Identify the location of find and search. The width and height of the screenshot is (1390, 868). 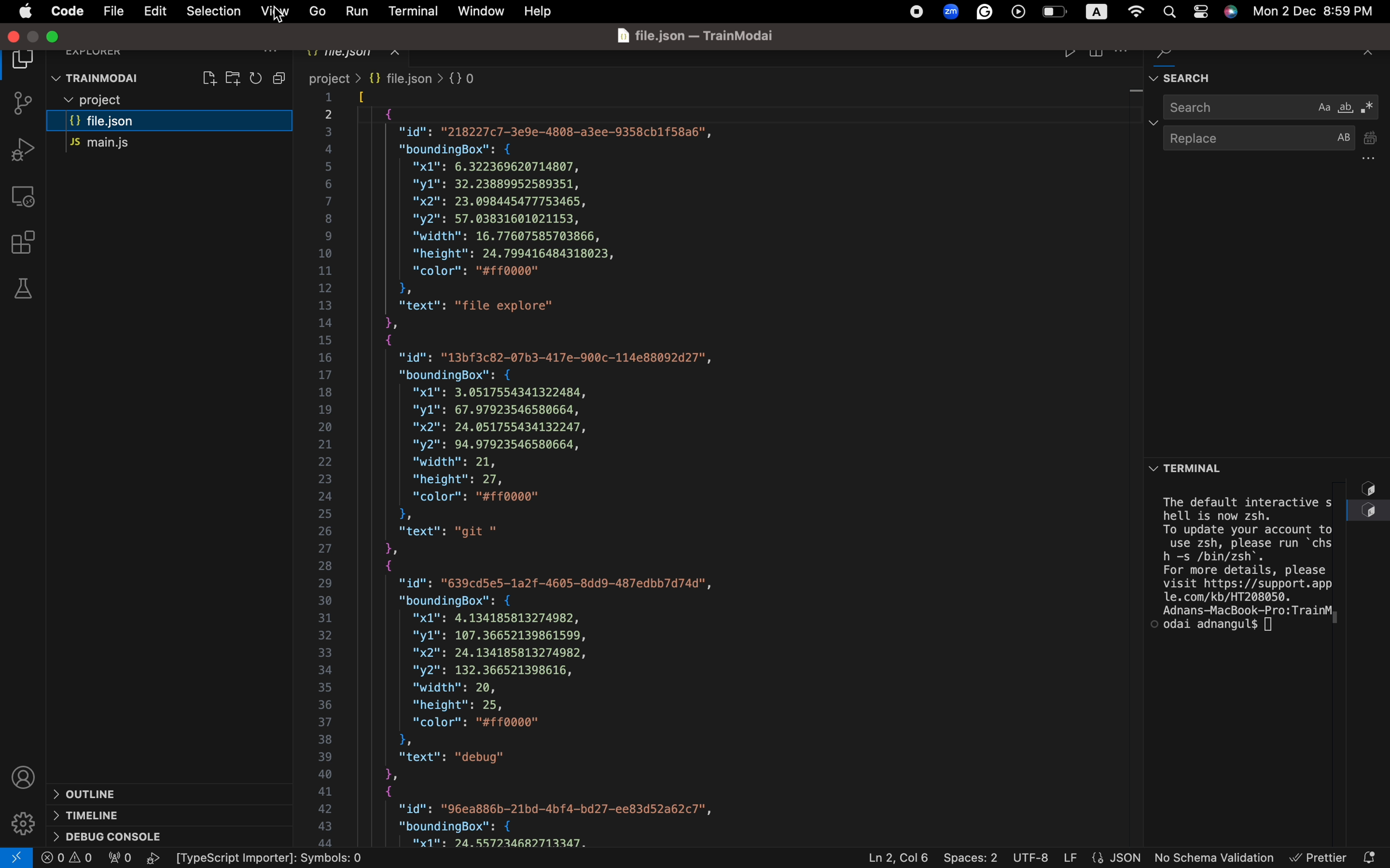
(1267, 75).